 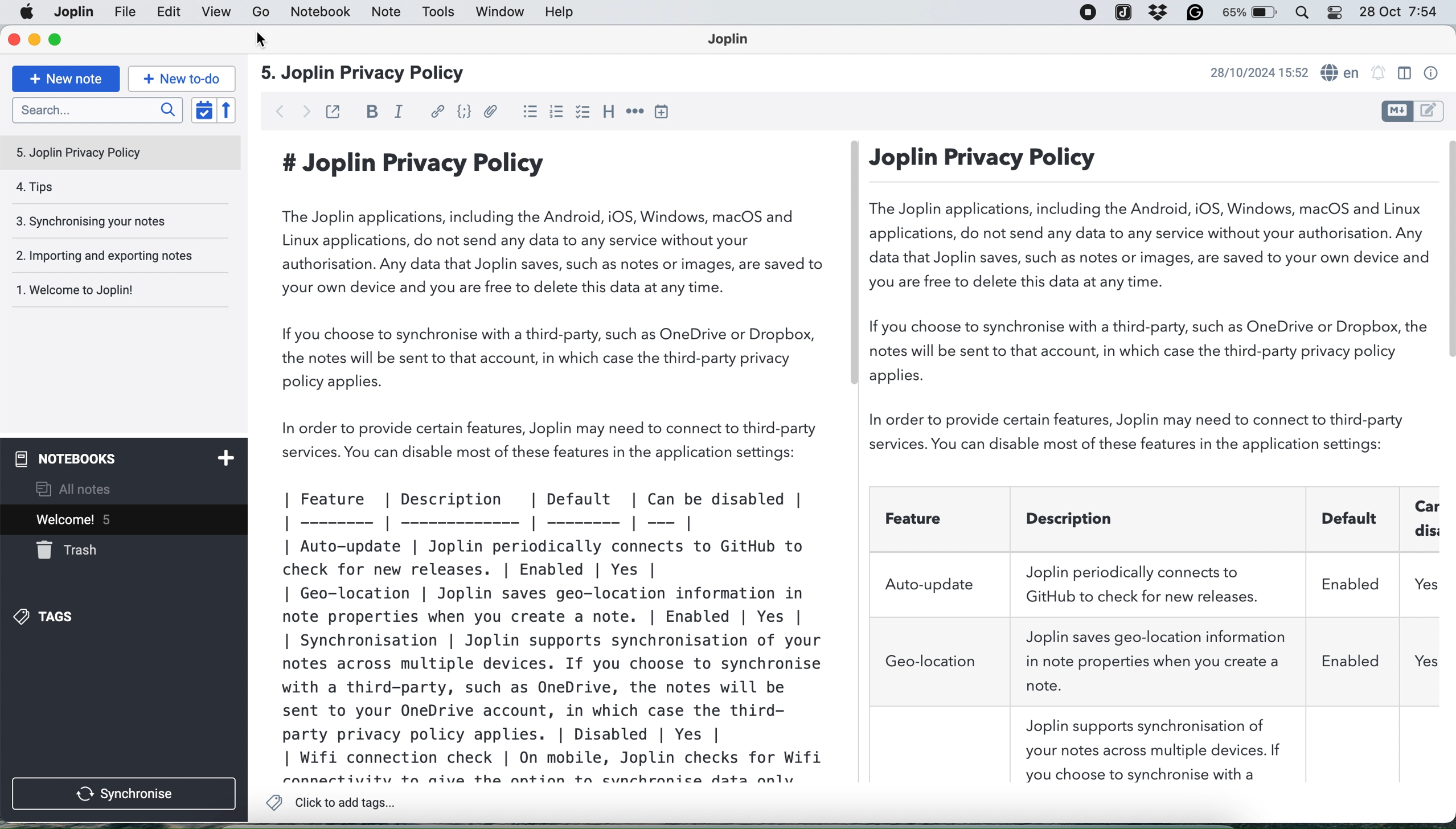 What do you see at coordinates (226, 110) in the screenshot?
I see `reverse order` at bounding box center [226, 110].